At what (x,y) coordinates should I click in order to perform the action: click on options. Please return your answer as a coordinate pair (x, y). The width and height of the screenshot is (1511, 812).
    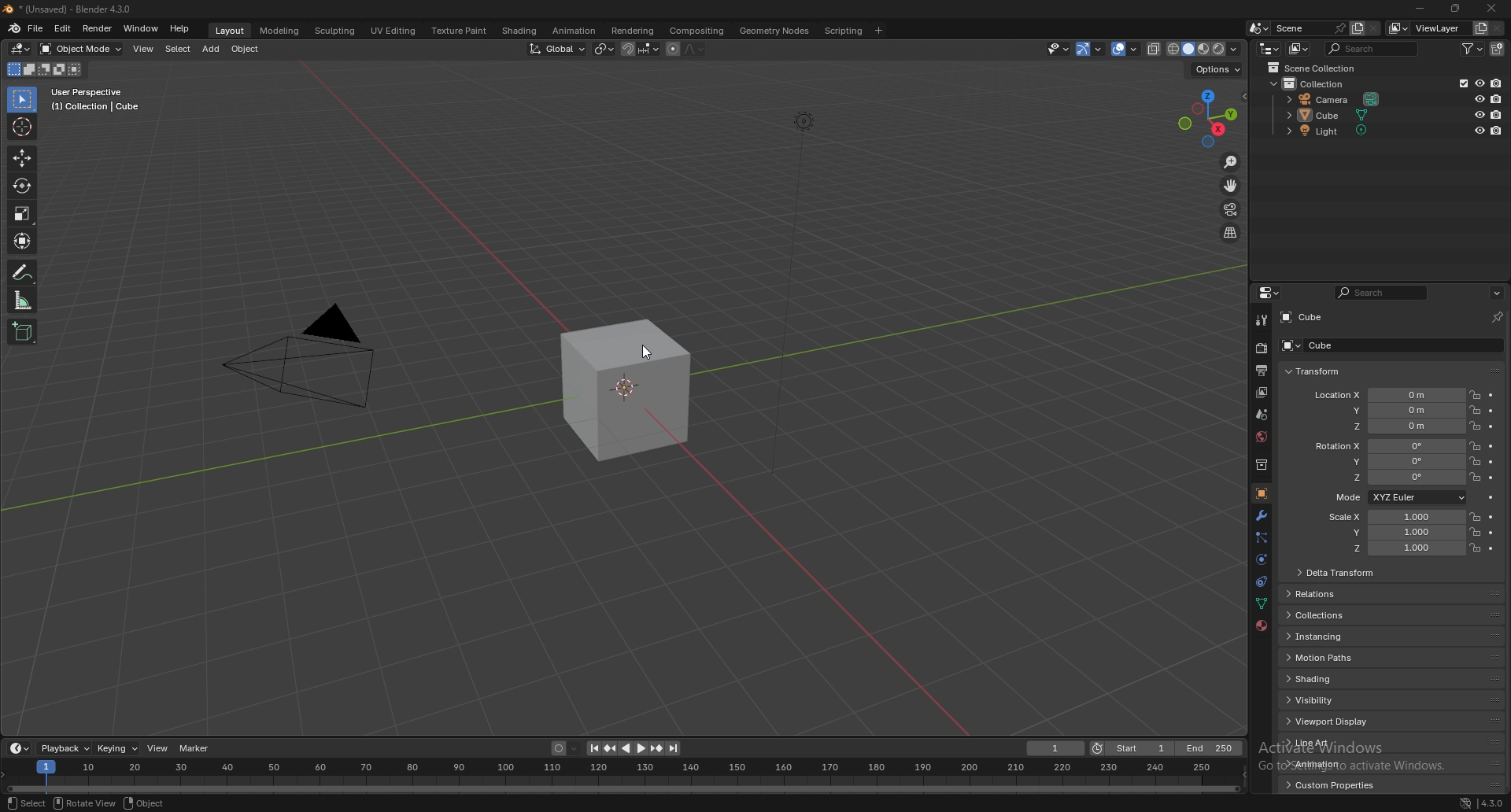
    Looking at the image, I should click on (1497, 293).